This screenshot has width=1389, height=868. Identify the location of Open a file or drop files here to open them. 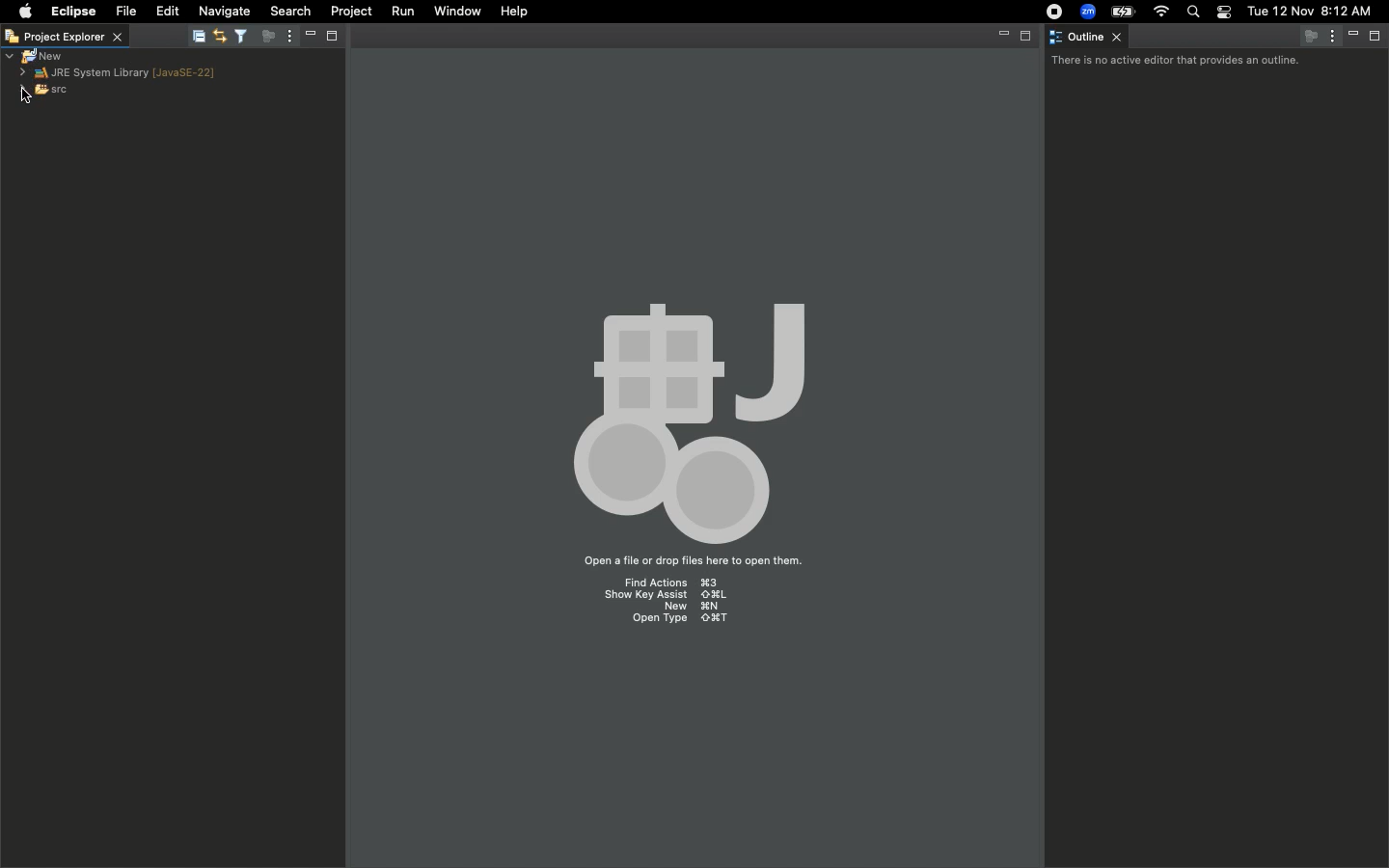
(692, 562).